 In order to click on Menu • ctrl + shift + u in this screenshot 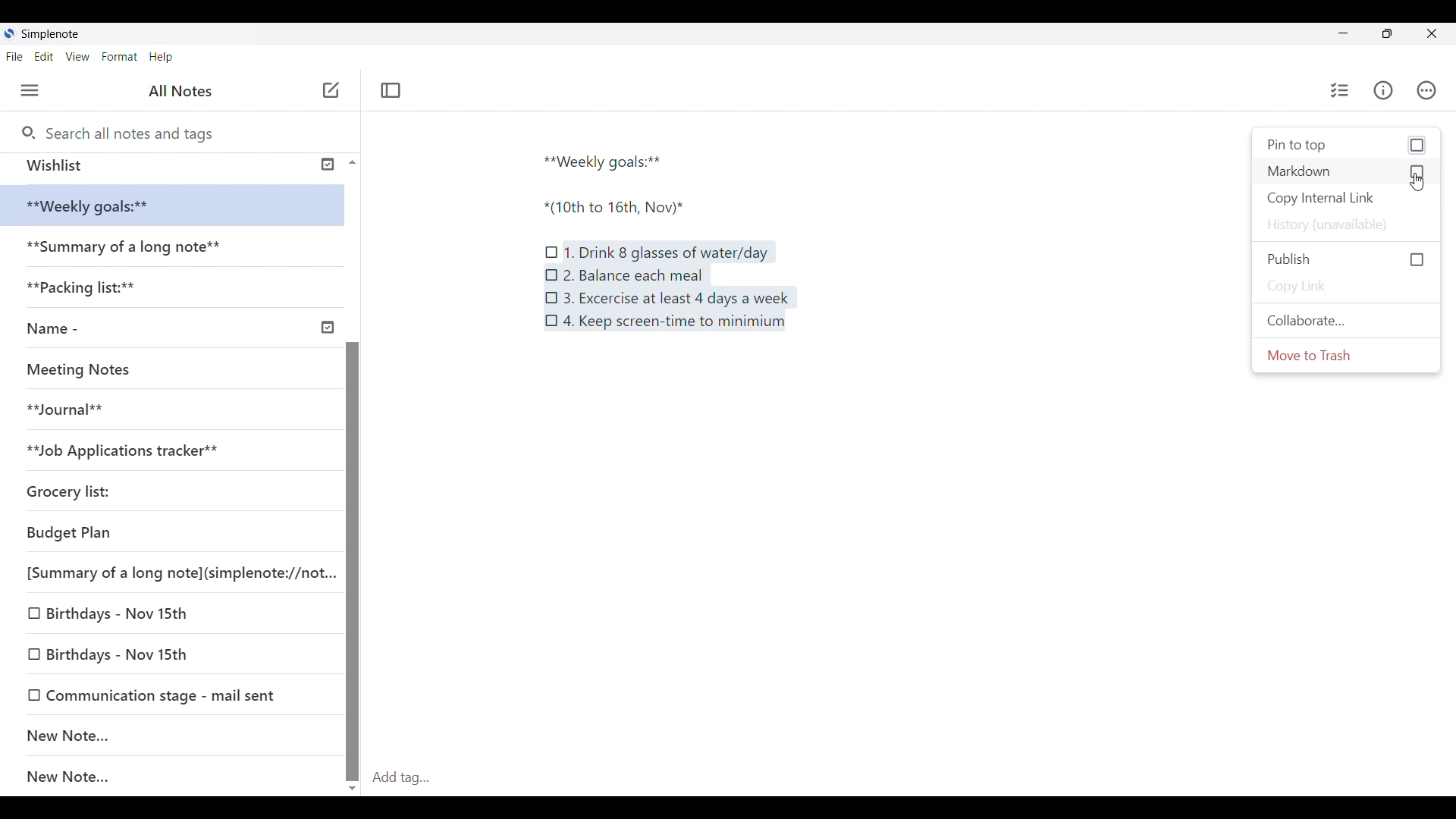, I will do `click(36, 90)`.